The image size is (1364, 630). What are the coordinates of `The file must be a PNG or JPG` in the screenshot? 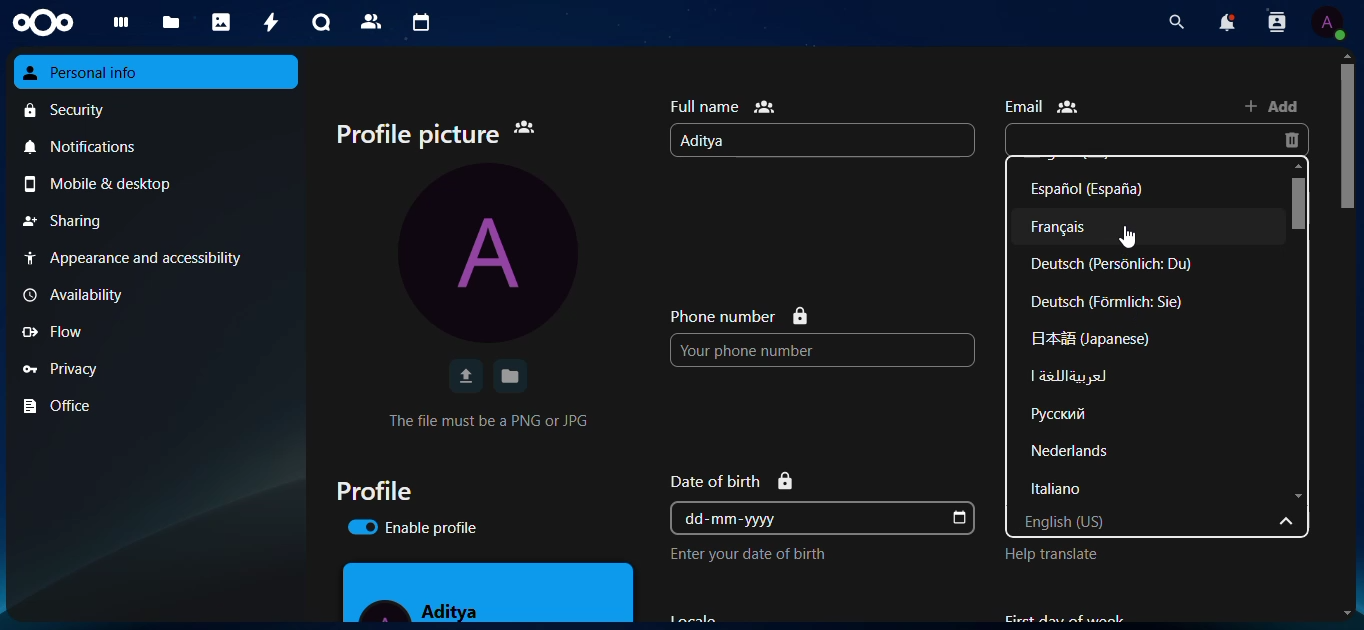 It's located at (490, 420).